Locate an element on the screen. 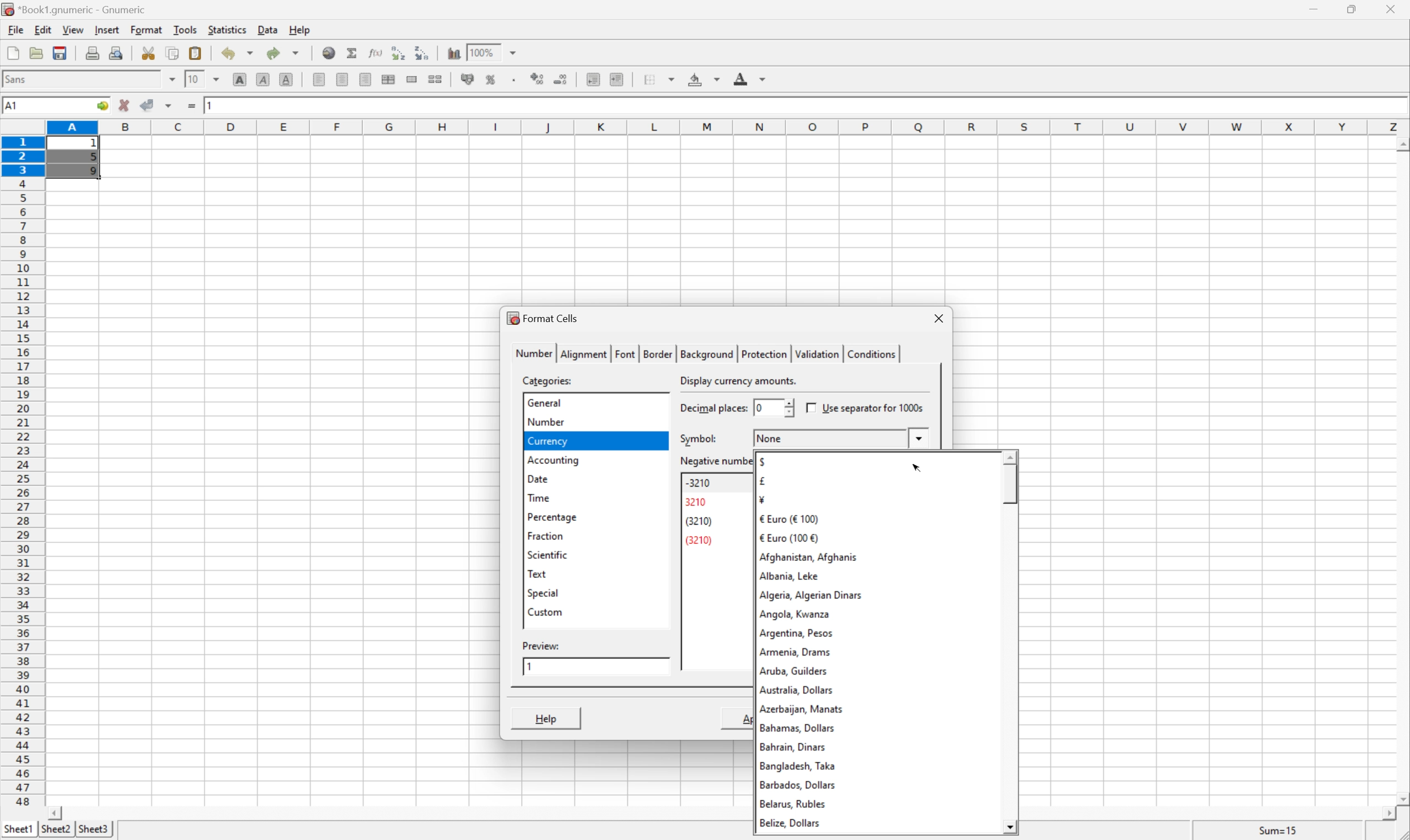  accept changes across all selections is located at coordinates (169, 106).